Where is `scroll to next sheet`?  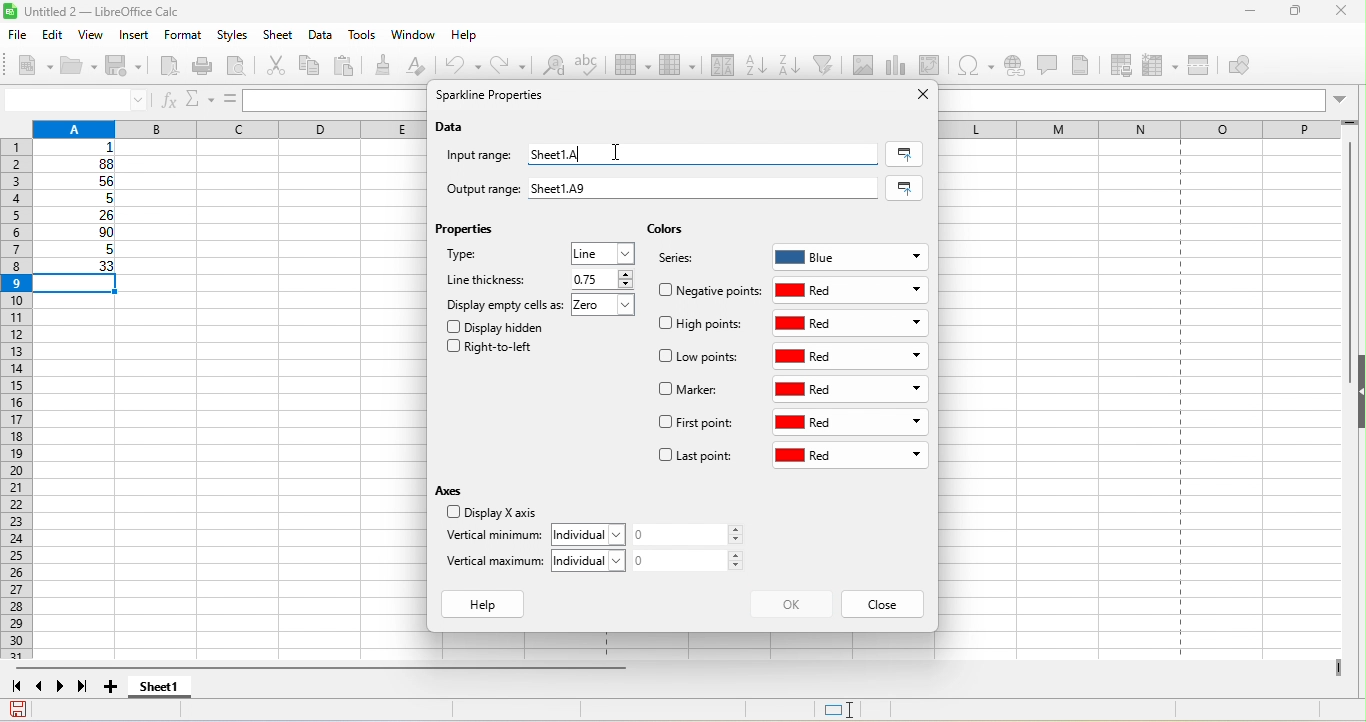 scroll to next sheet is located at coordinates (65, 689).